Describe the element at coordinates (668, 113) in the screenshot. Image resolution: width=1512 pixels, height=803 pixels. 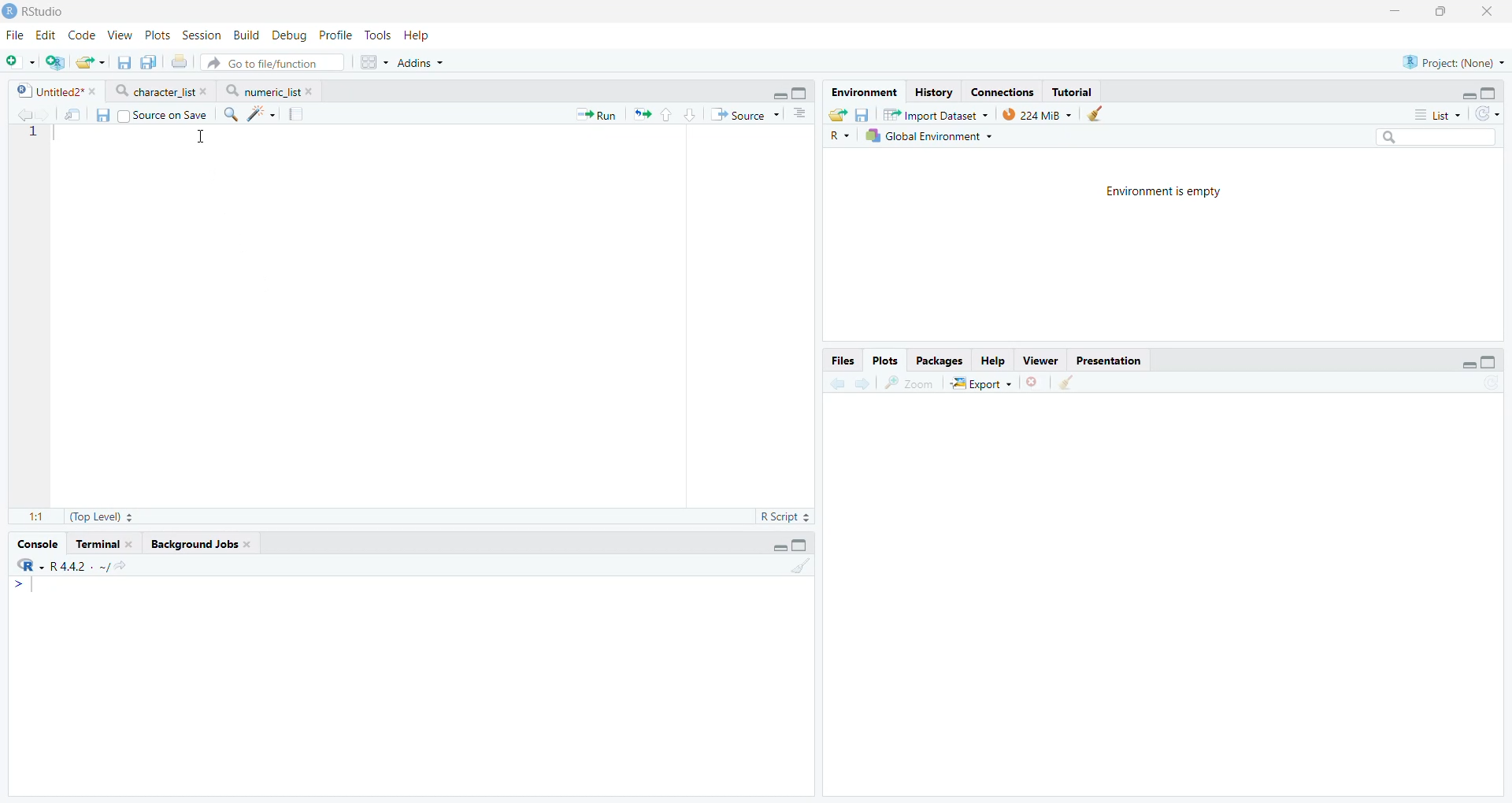
I see `Go to previous section` at that location.